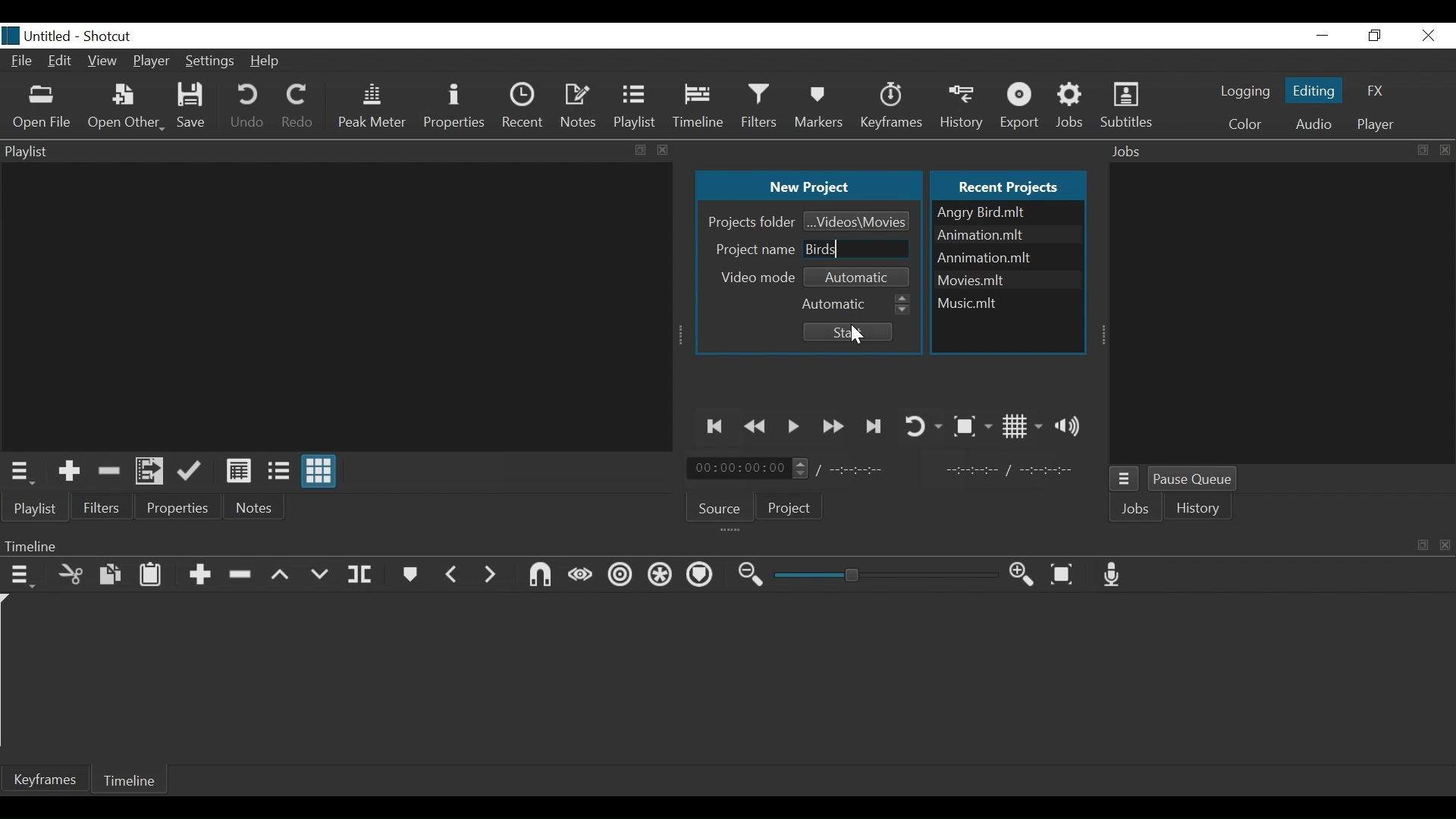  What do you see at coordinates (886, 576) in the screenshot?
I see `Zoom Slider` at bounding box center [886, 576].